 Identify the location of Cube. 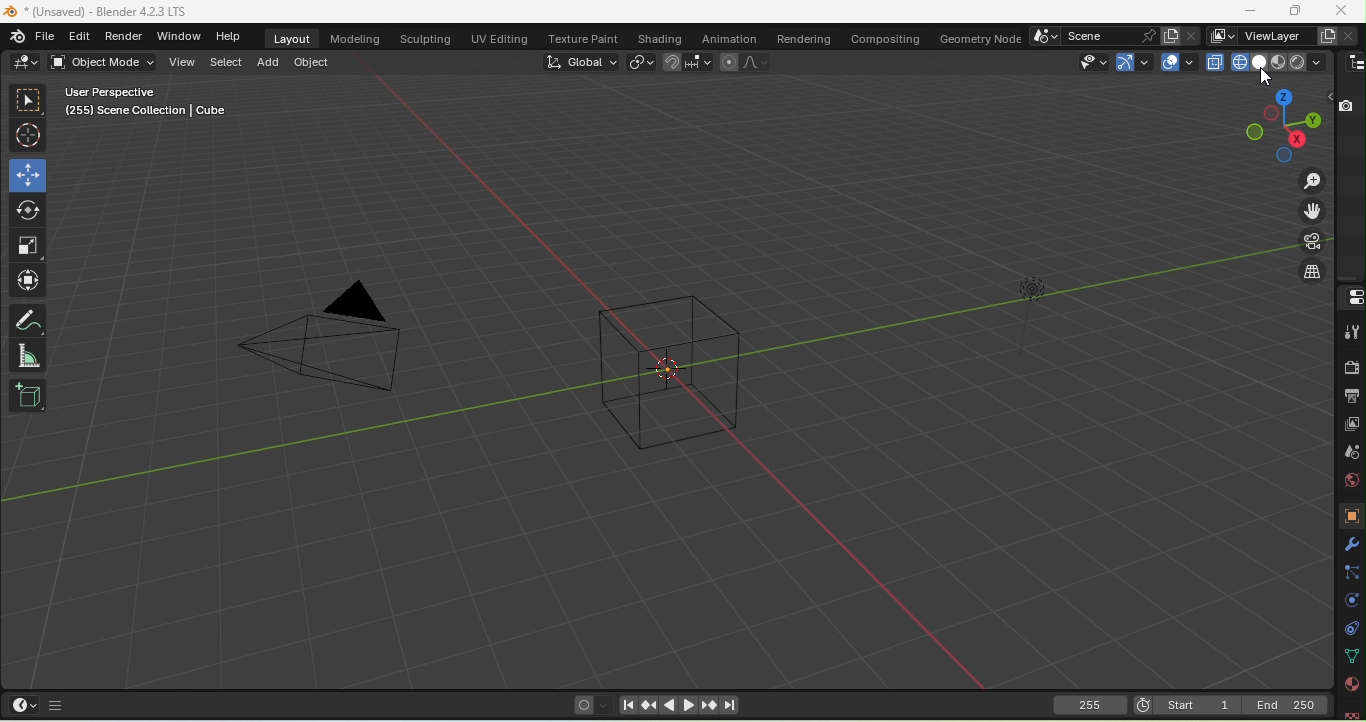
(27, 396).